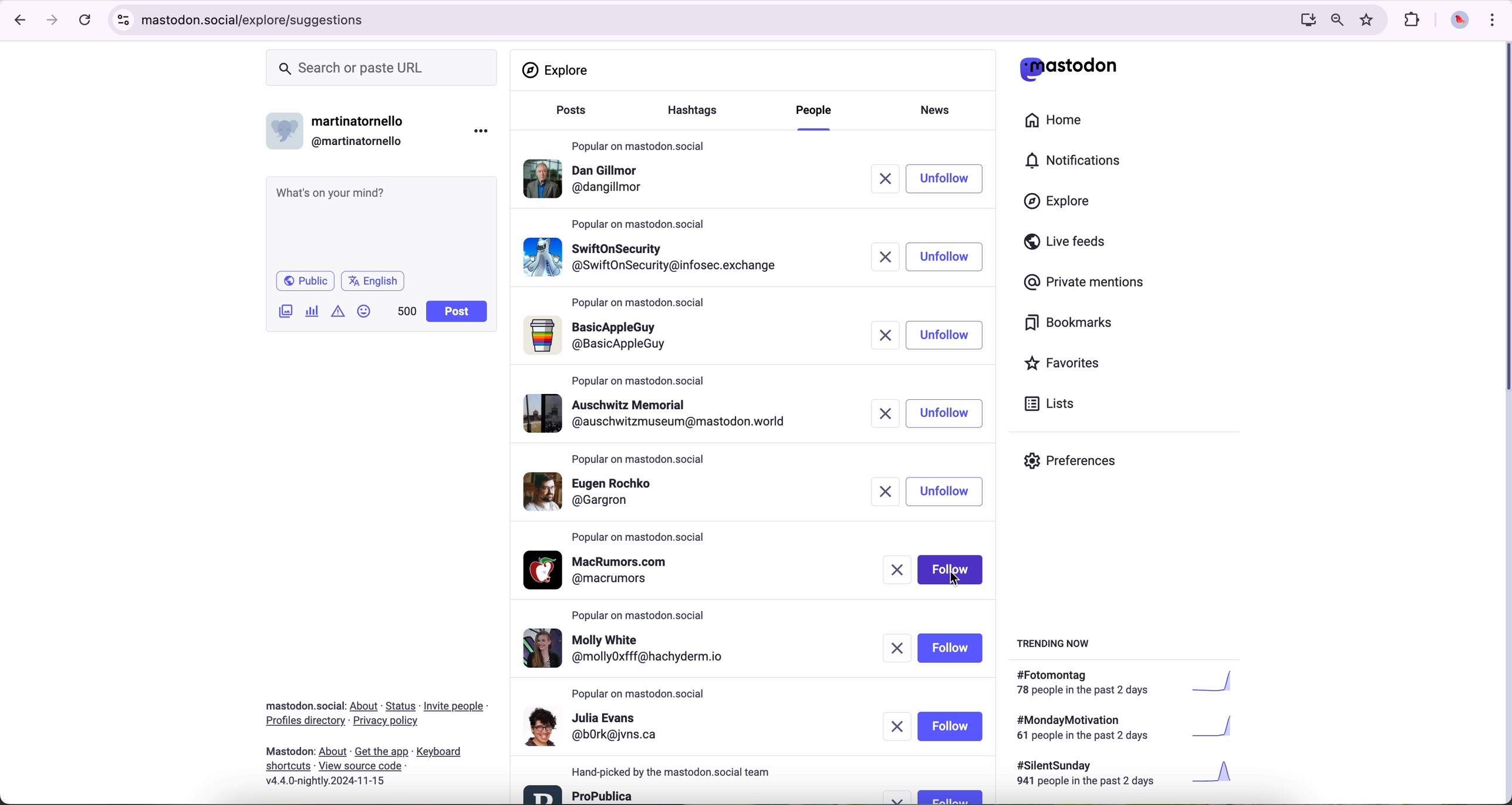 This screenshot has width=1512, height=805. I want to click on popular on mastodon.social, so click(640, 538).